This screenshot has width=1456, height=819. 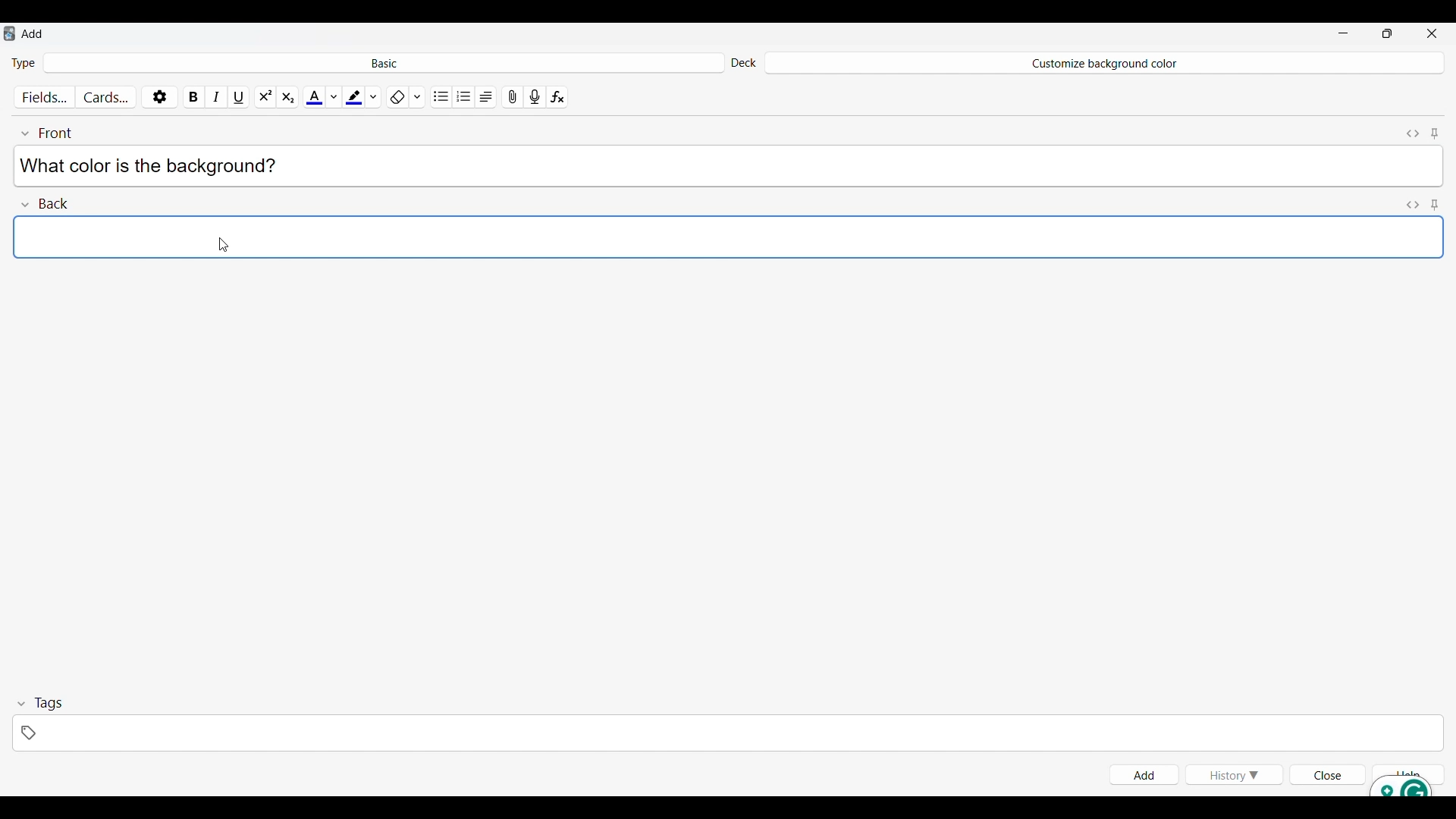 I want to click on Unordered list, so click(x=442, y=95).